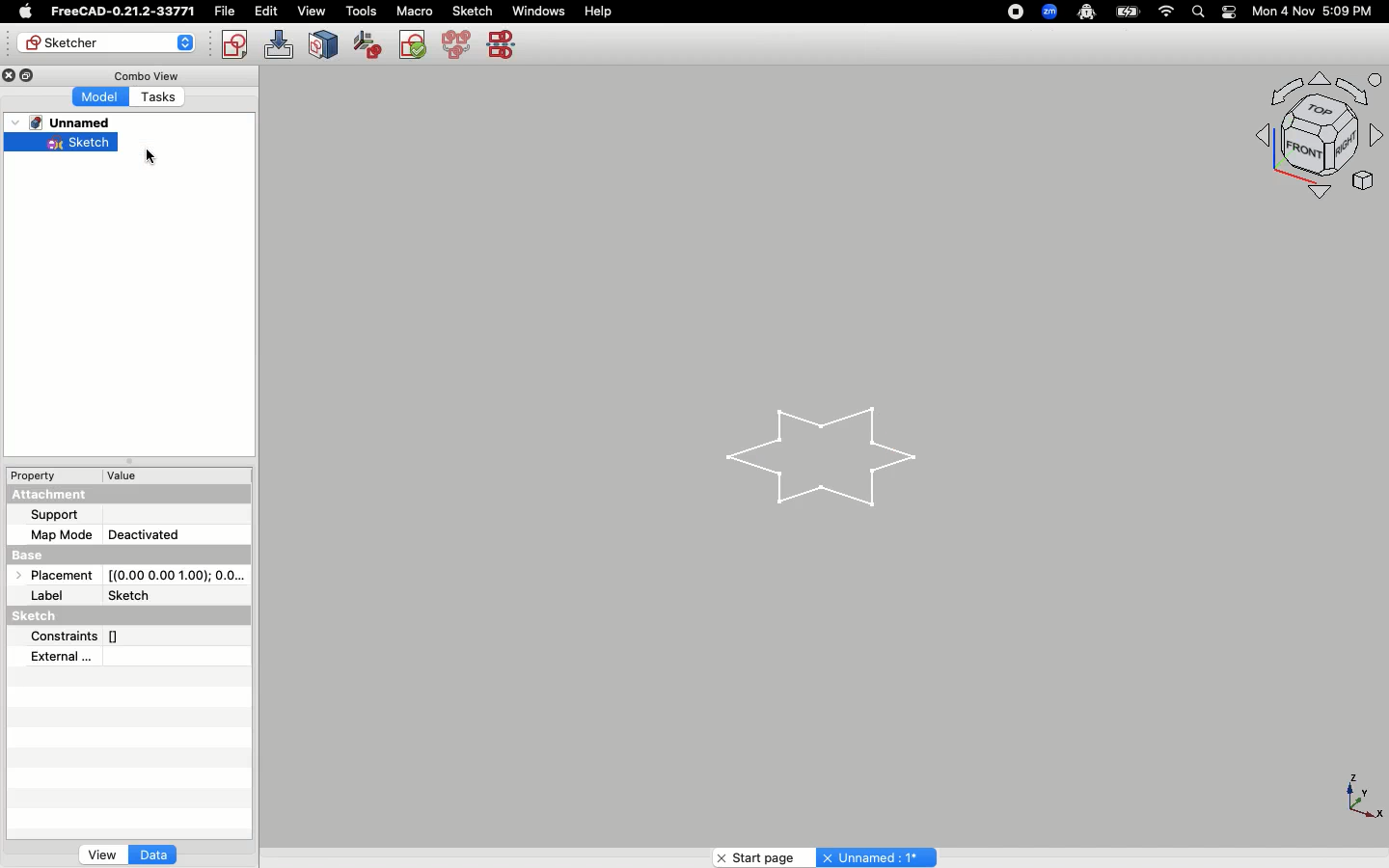 The height and width of the screenshot is (868, 1389). I want to click on Data, so click(156, 848).